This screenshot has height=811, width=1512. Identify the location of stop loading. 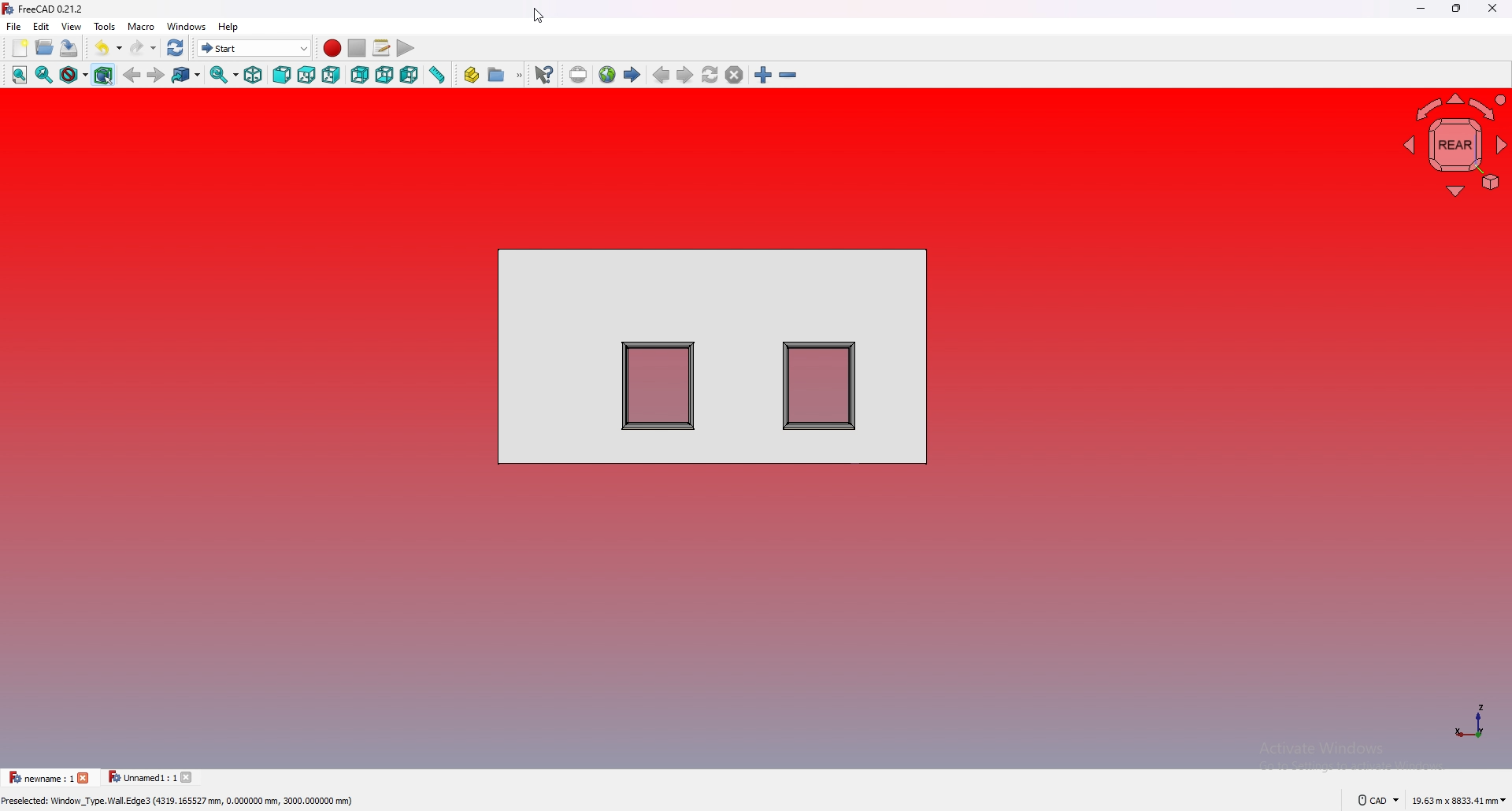
(735, 75).